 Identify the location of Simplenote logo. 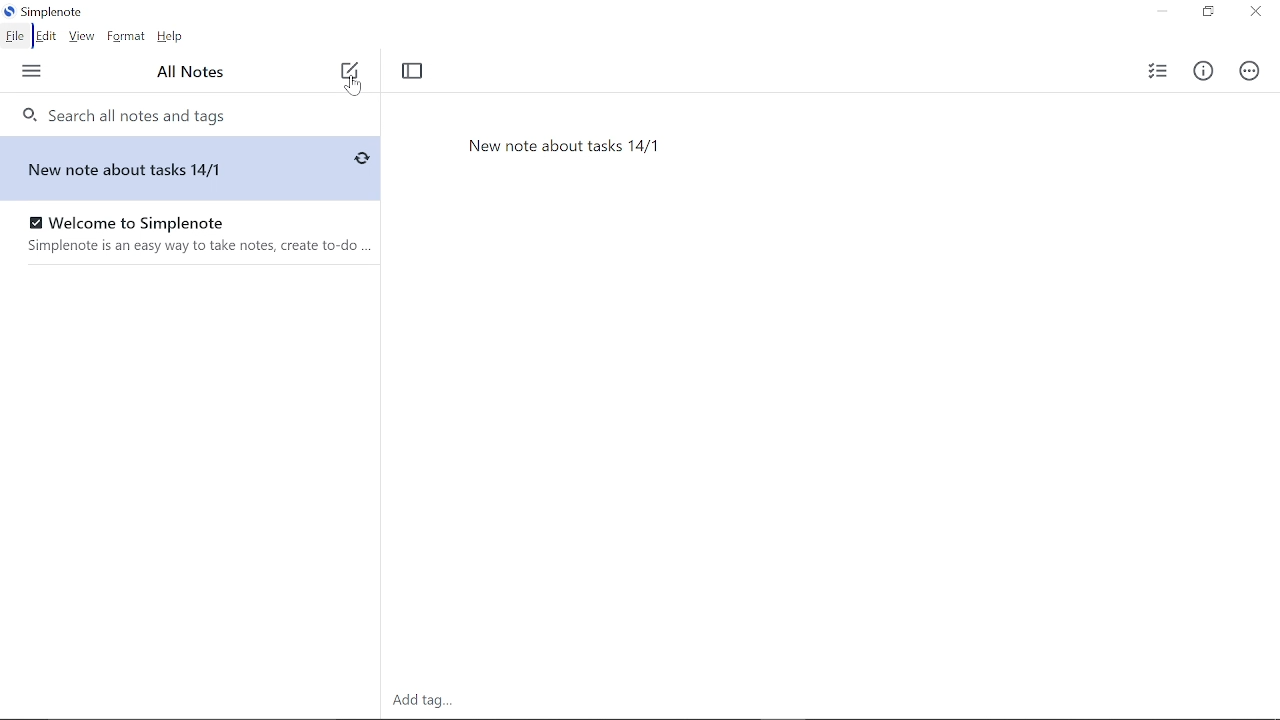
(45, 14).